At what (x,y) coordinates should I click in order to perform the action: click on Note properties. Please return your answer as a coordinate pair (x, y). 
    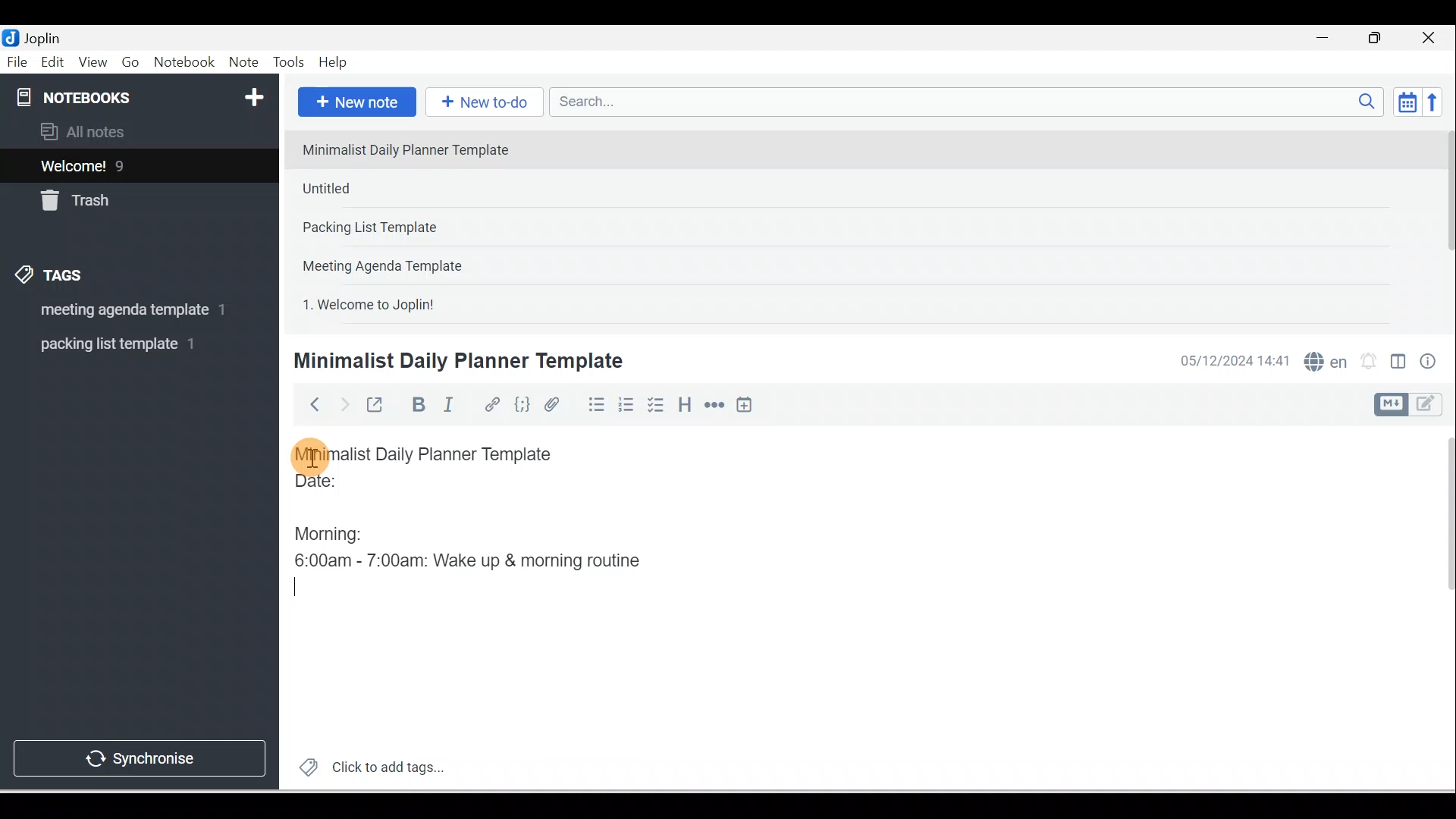
    Looking at the image, I should click on (1429, 363).